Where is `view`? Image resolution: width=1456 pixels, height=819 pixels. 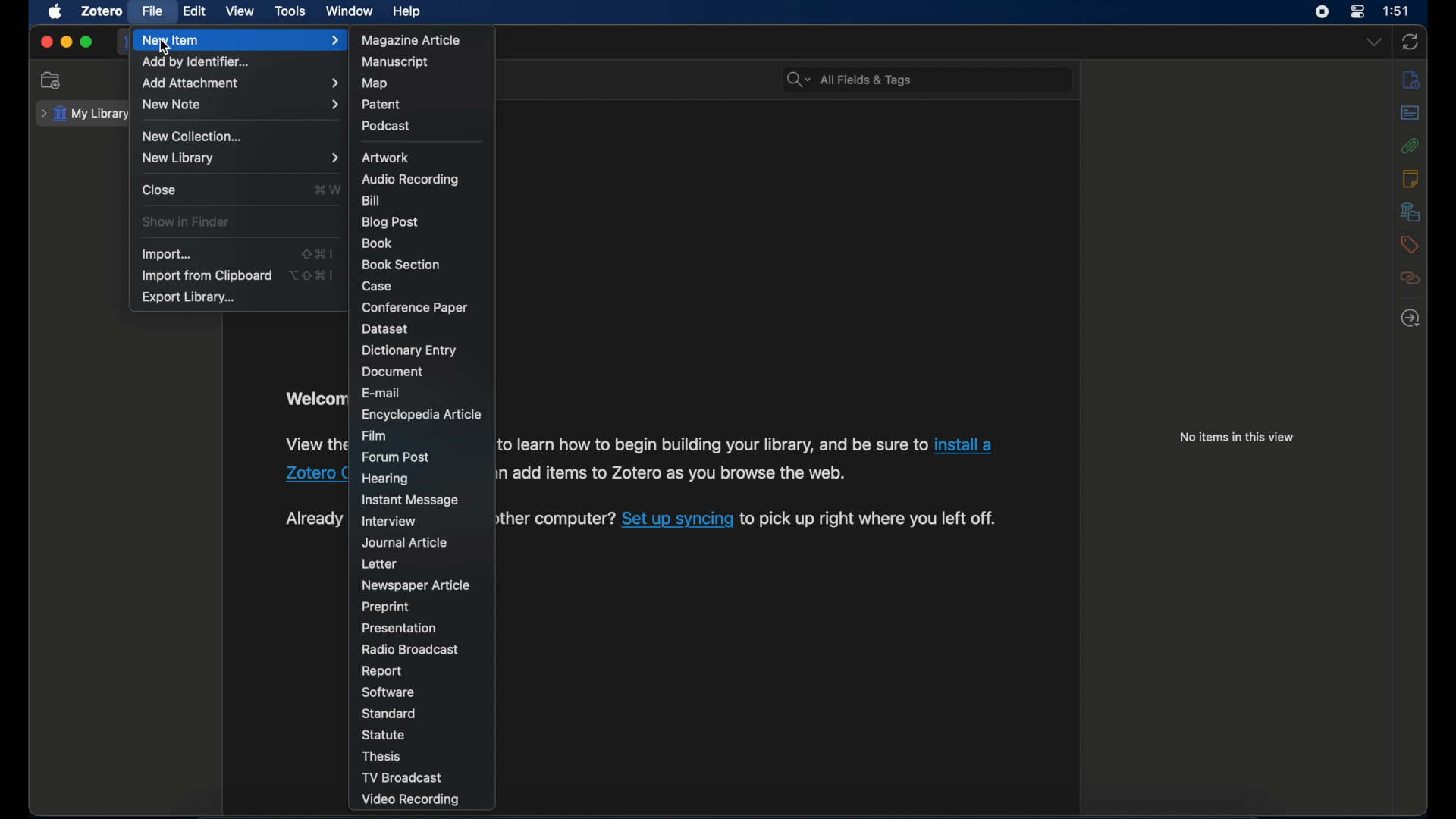 view is located at coordinates (240, 11).